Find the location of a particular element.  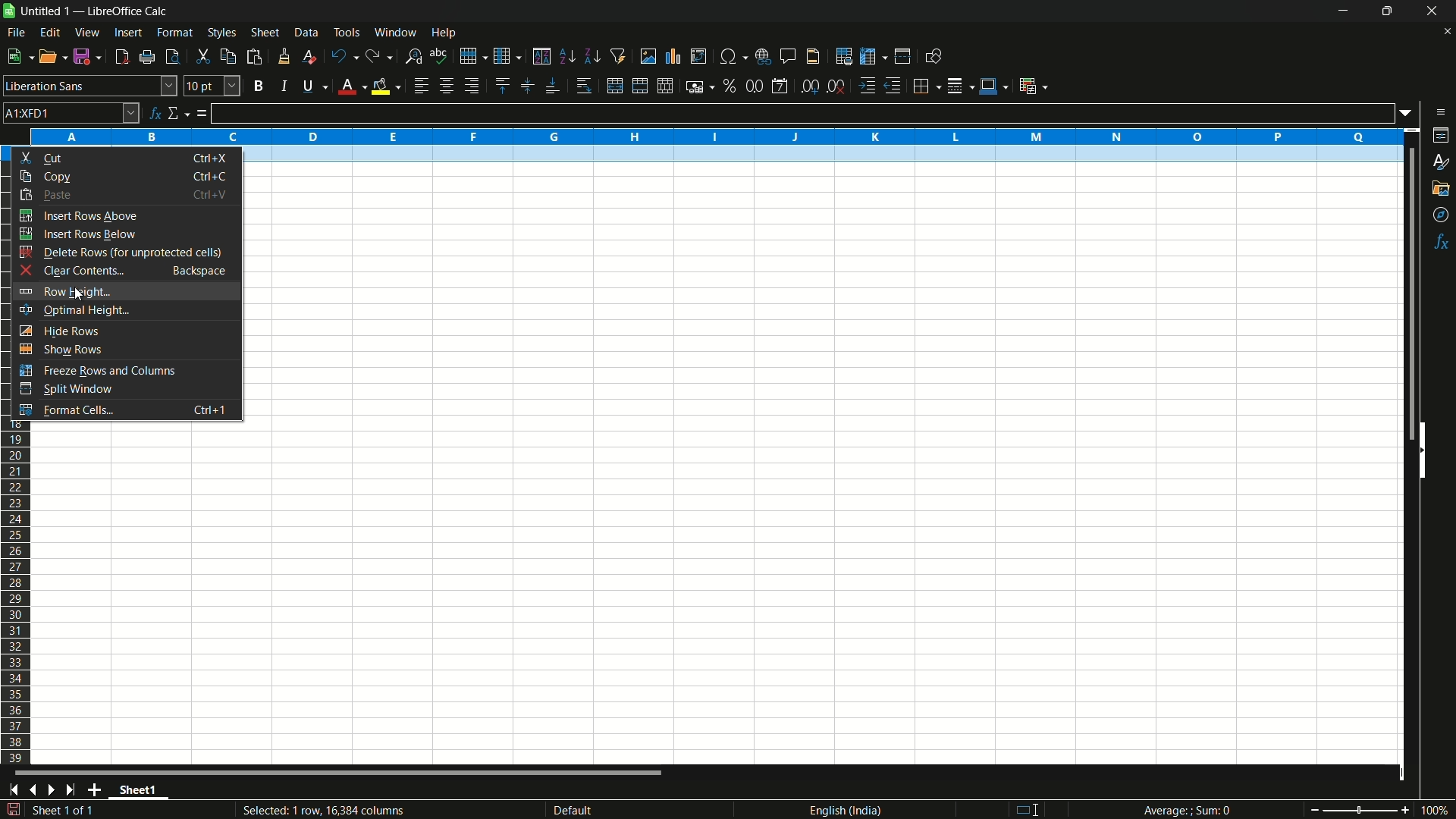

export directly as pdf is located at coordinates (121, 57).